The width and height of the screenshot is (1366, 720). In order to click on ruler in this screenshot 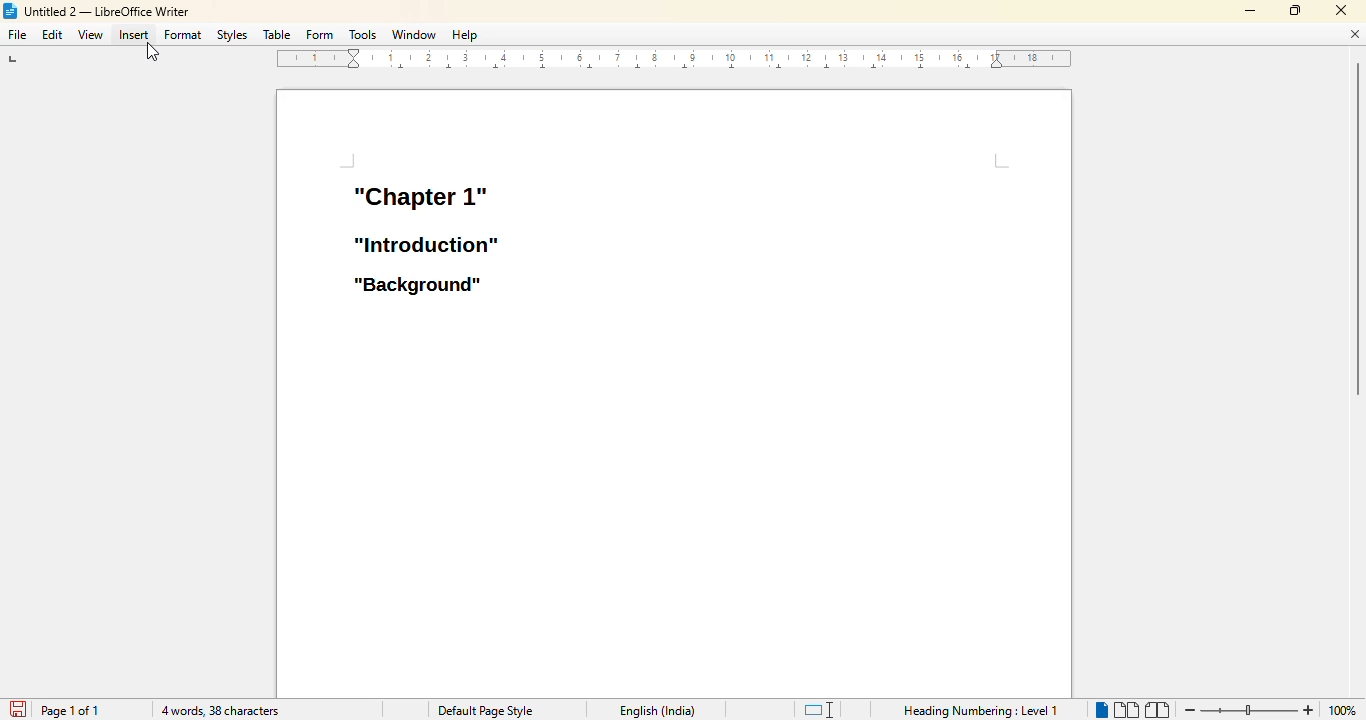, I will do `click(675, 58)`.